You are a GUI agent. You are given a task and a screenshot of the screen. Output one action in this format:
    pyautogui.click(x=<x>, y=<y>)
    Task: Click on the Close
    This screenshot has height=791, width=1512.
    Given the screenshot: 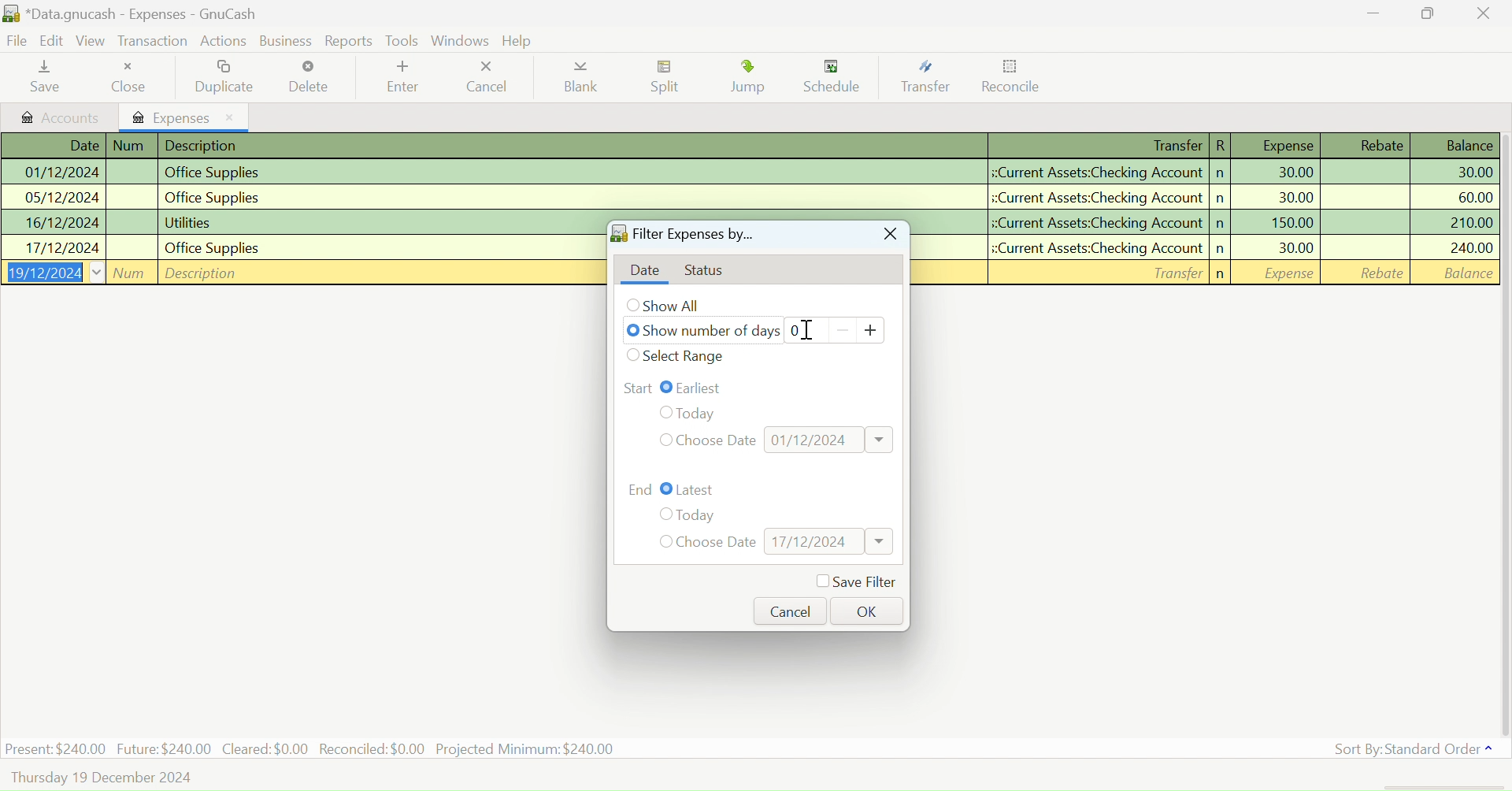 What is the action you would take?
    pyautogui.click(x=133, y=77)
    